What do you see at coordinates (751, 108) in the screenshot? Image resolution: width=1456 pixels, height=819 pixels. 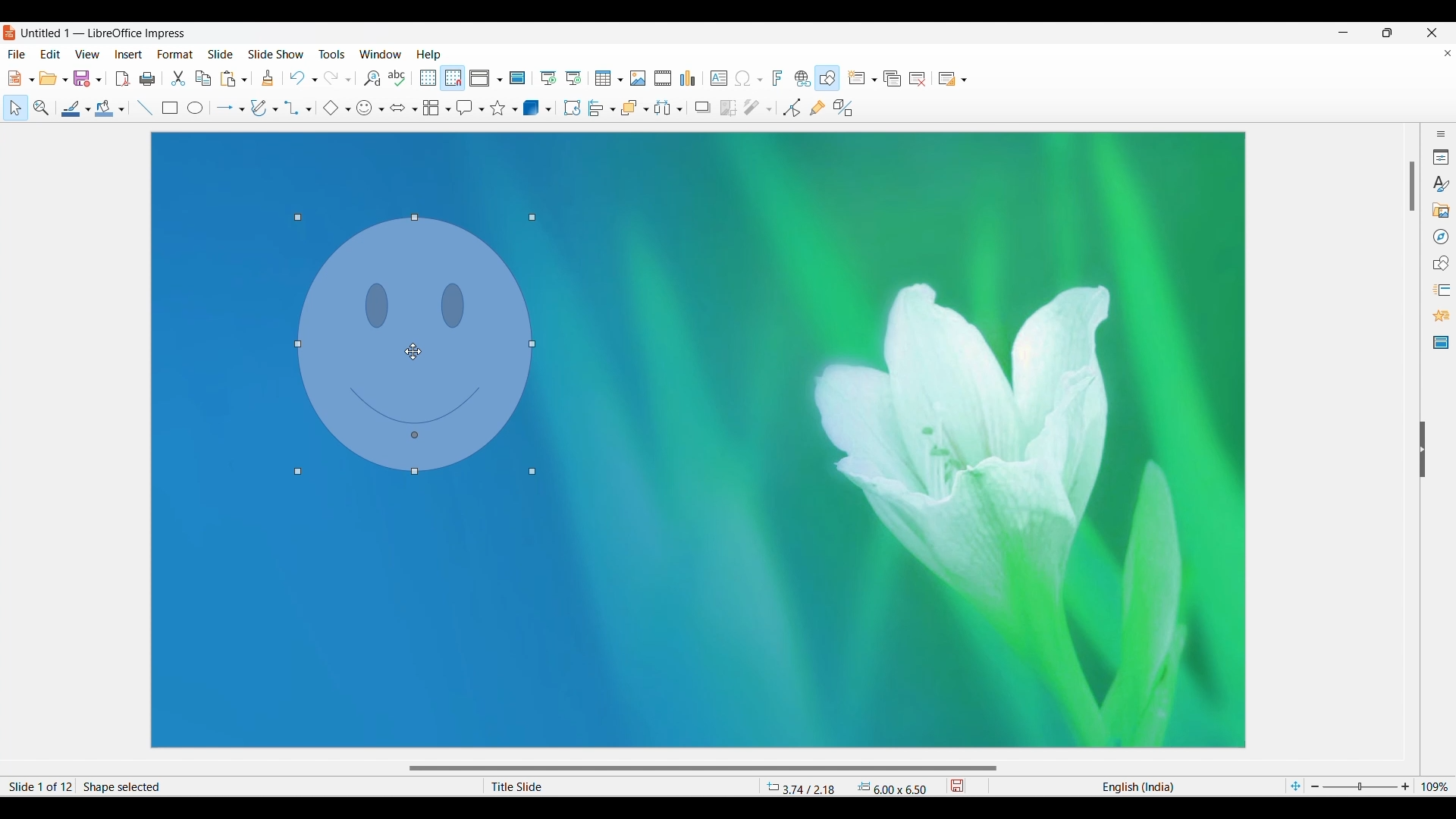 I see `Chosen filter` at bounding box center [751, 108].